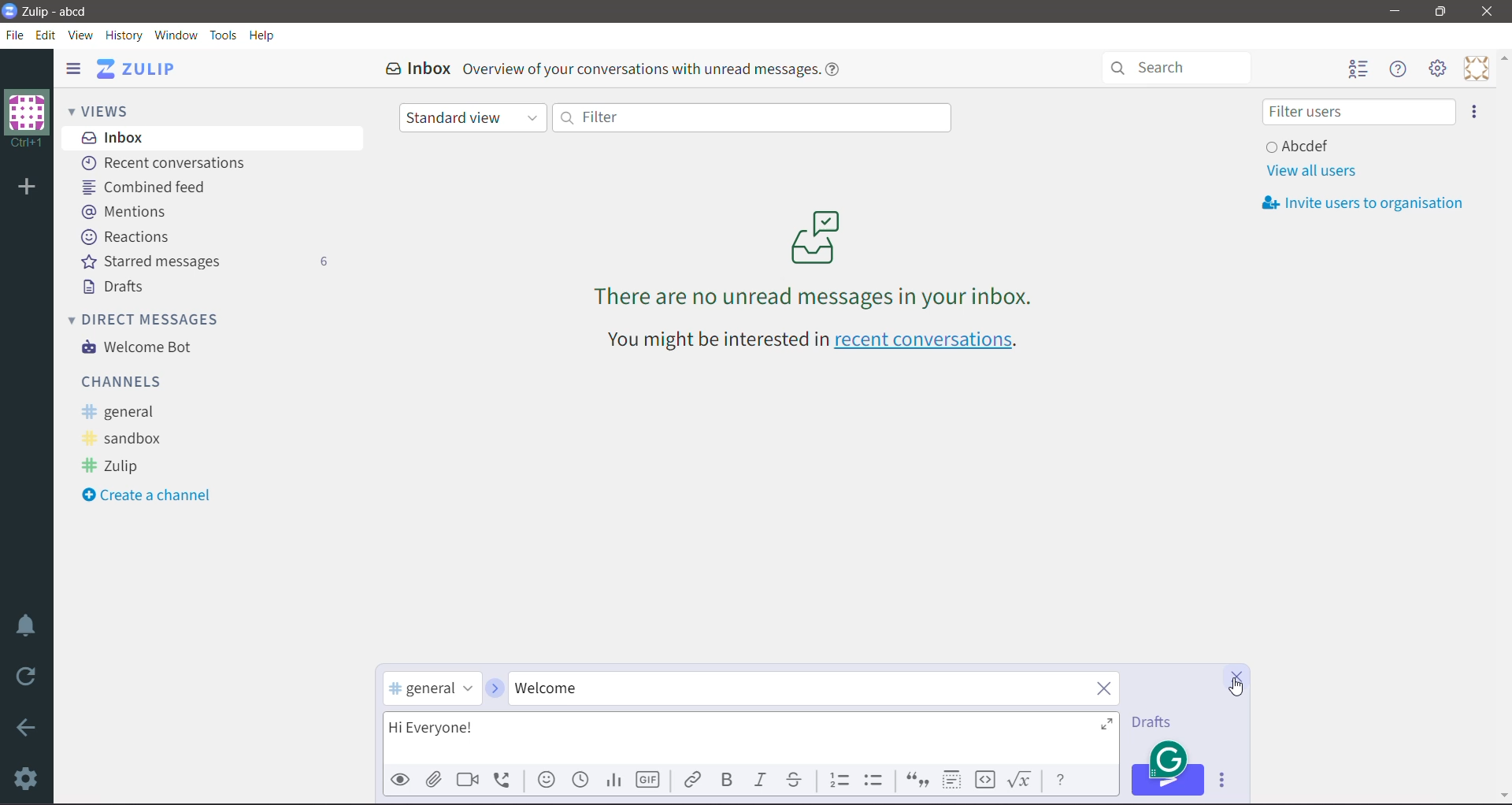 Image resolution: width=1512 pixels, height=805 pixels. What do you see at coordinates (1184, 66) in the screenshot?
I see `Search` at bounding box center [1184, 66].